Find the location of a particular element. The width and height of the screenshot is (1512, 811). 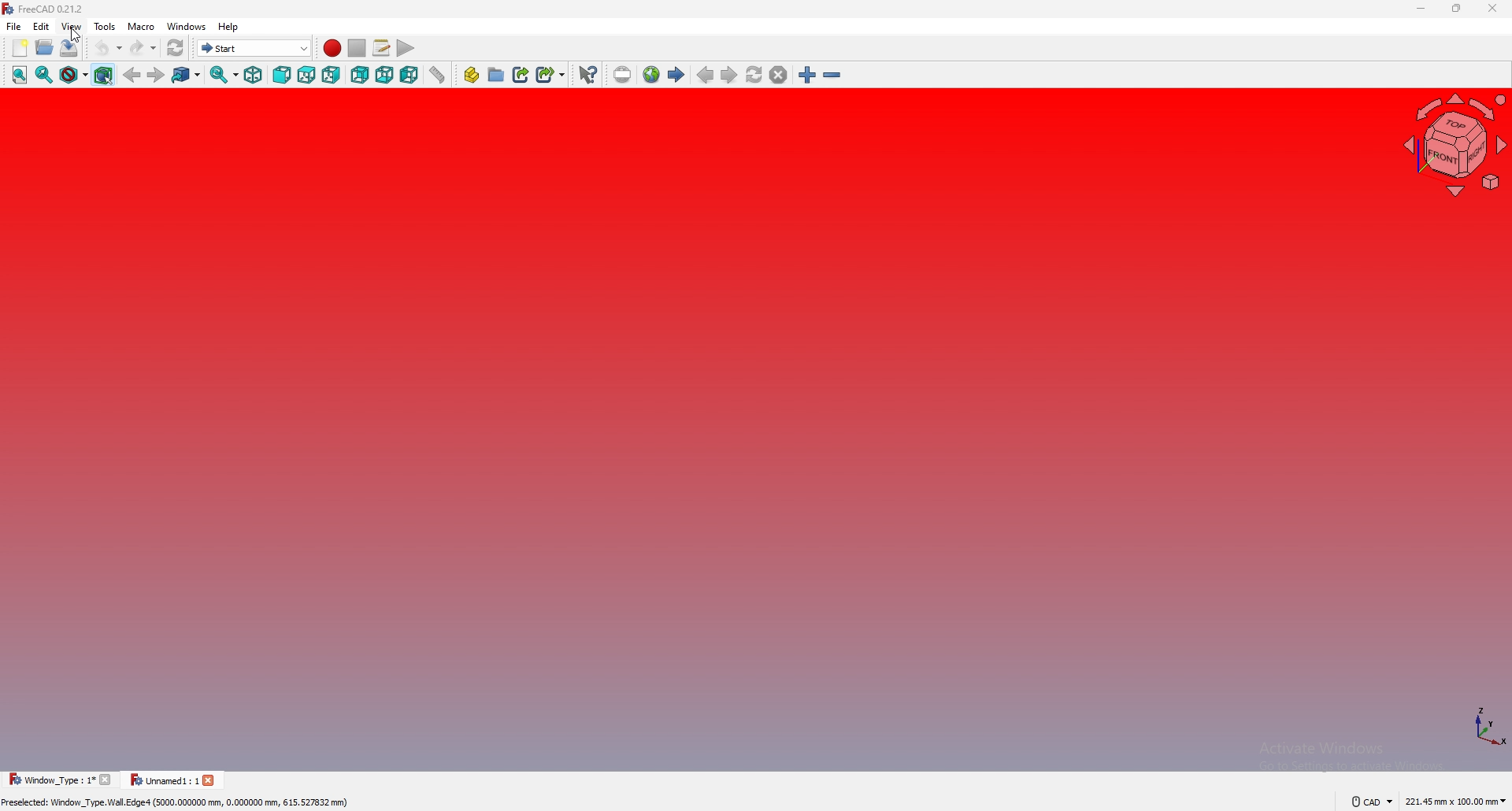

start is located at coordinates (254, 48).